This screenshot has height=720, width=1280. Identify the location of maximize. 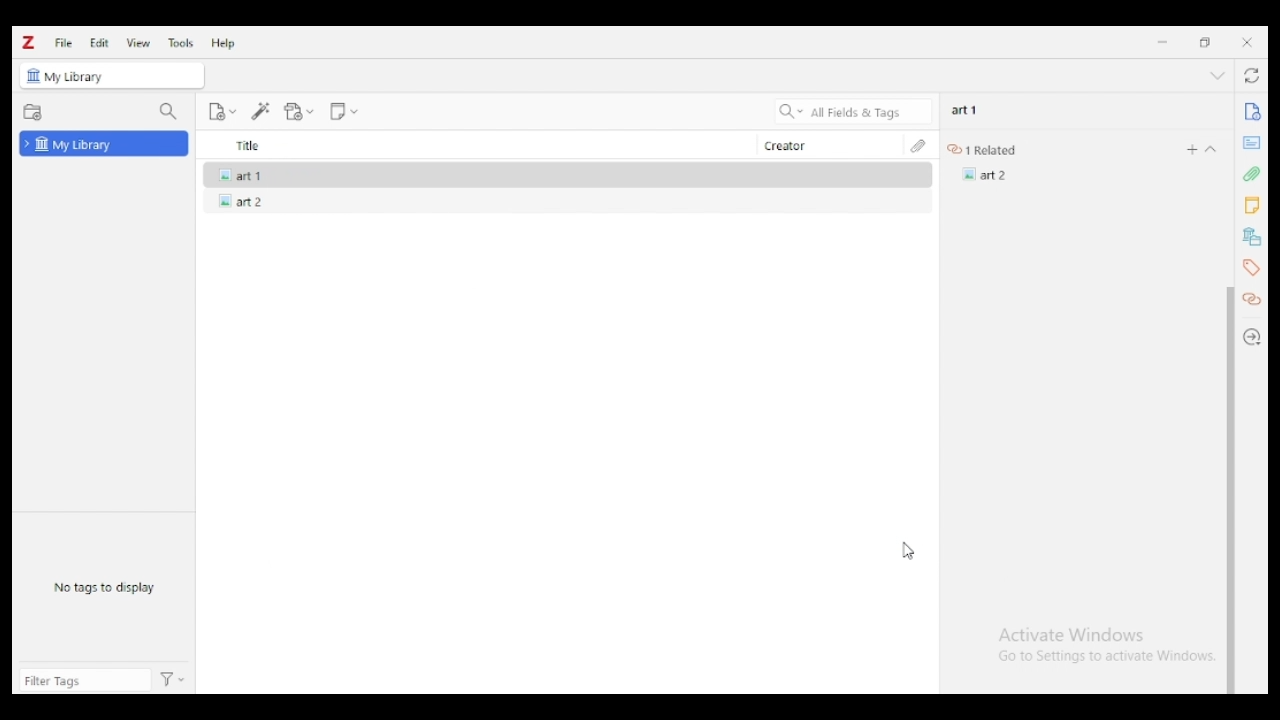
(1206, 43).